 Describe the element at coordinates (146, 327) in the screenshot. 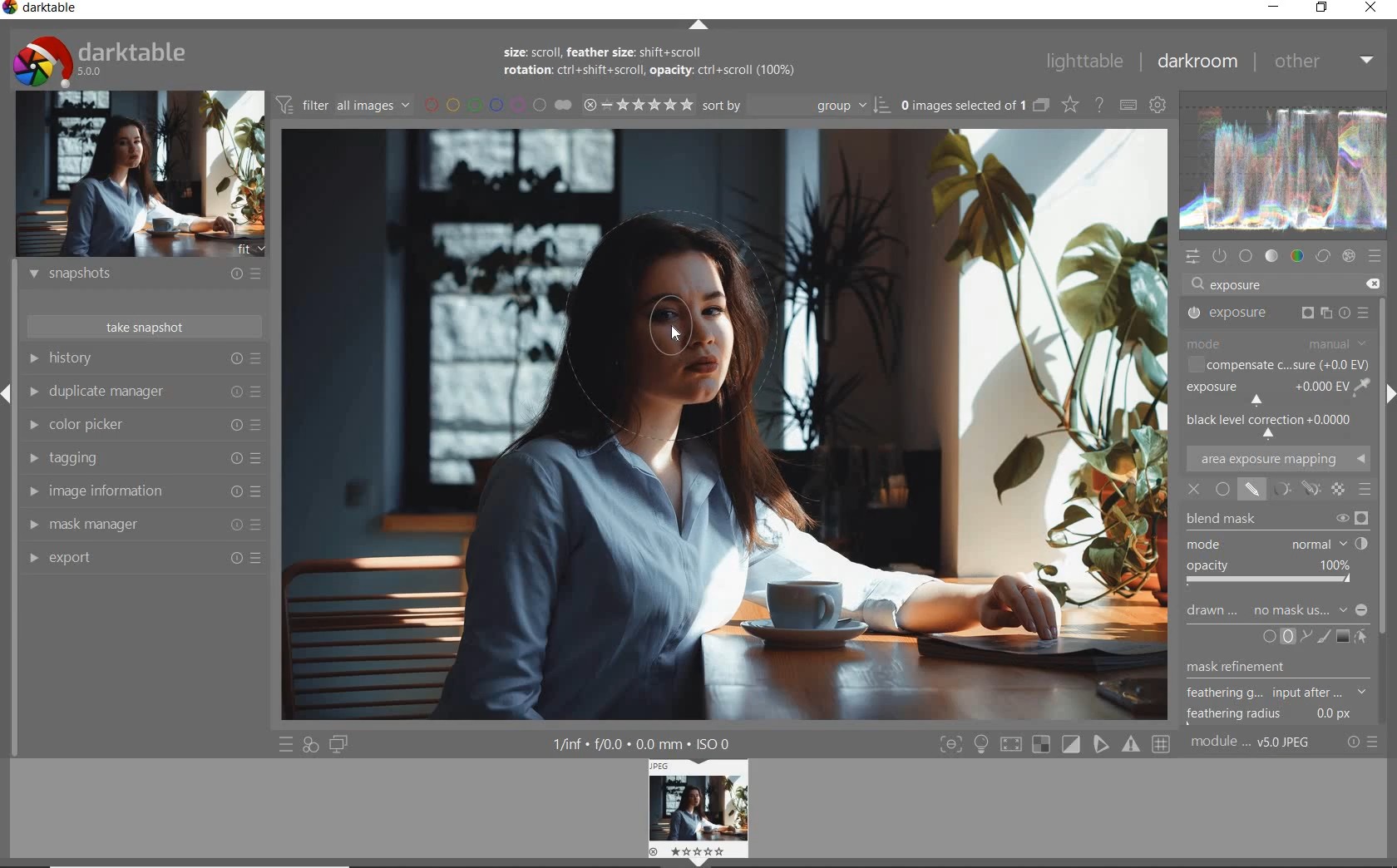

I see `take snapshot` at that location.